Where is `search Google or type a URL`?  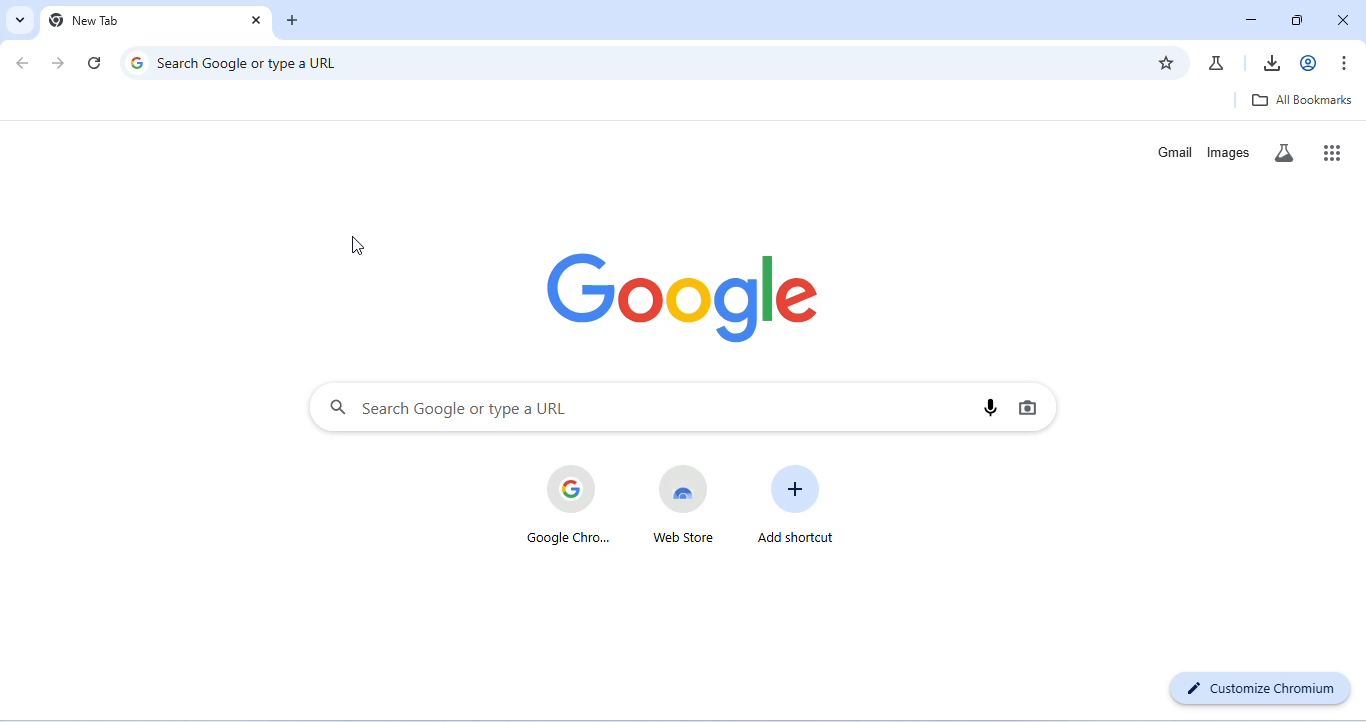 search Google or type a URL is located at coordinates (646, 408).